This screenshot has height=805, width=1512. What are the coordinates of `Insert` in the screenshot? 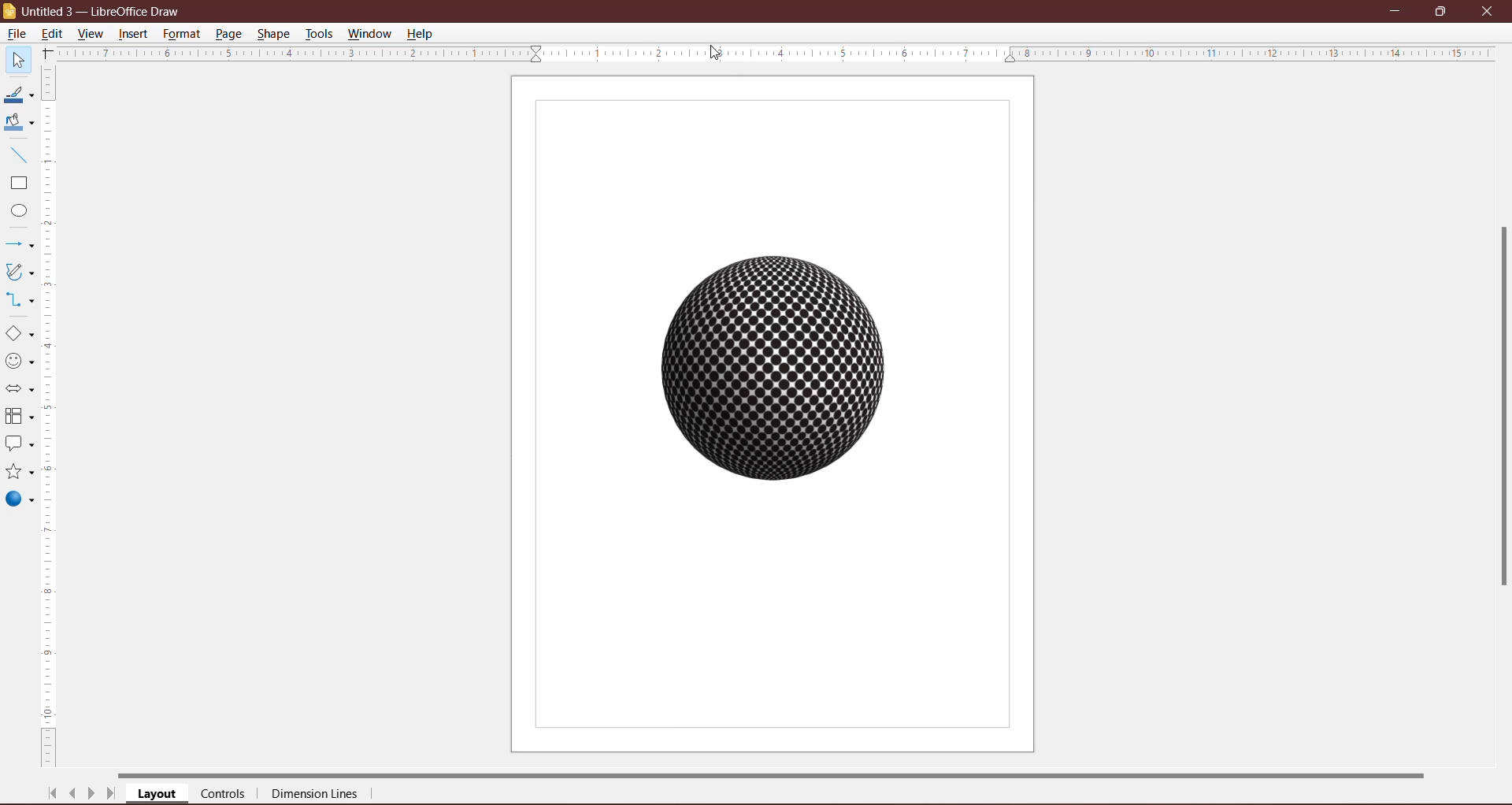 It's located at (134, 34).